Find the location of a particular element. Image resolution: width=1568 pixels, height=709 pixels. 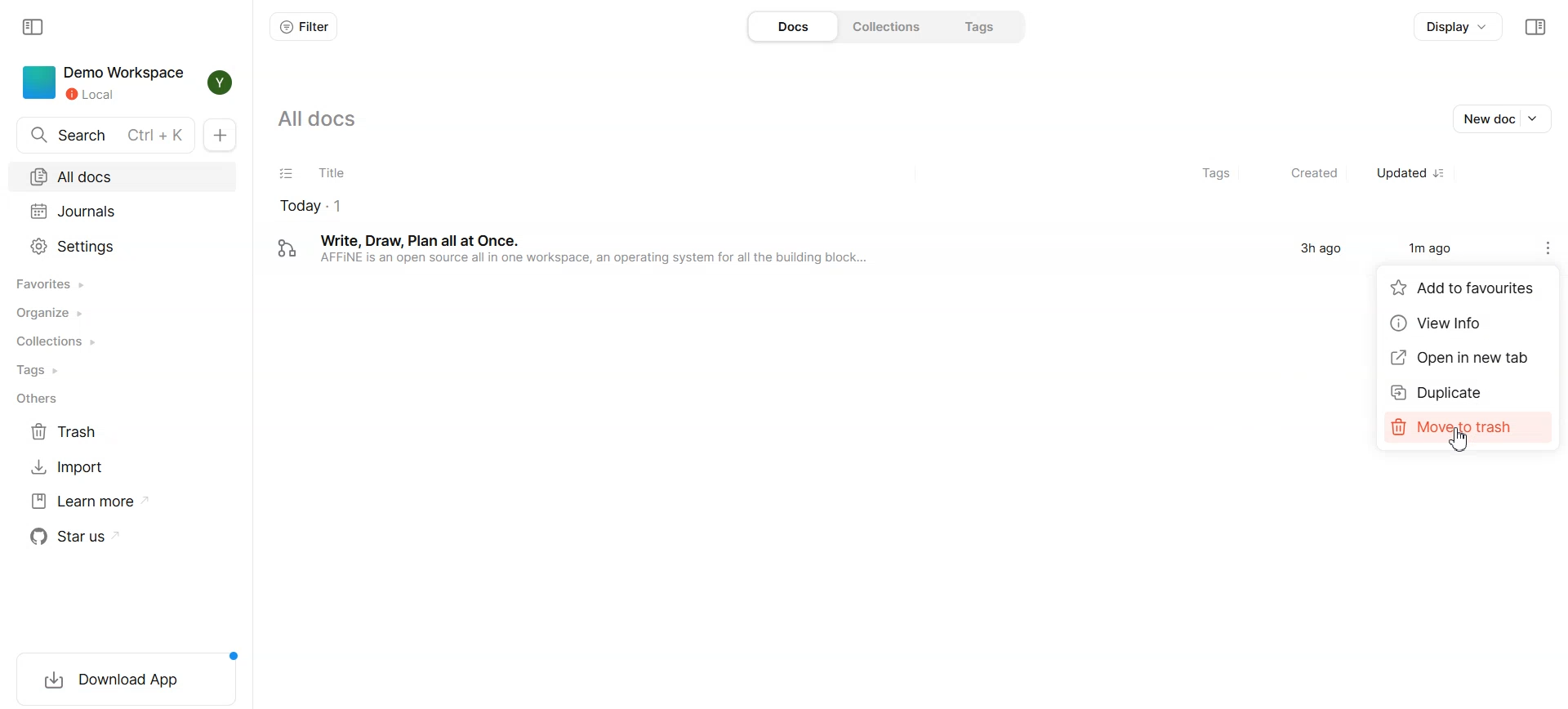

Learn more is located at coordinates (107, 502).